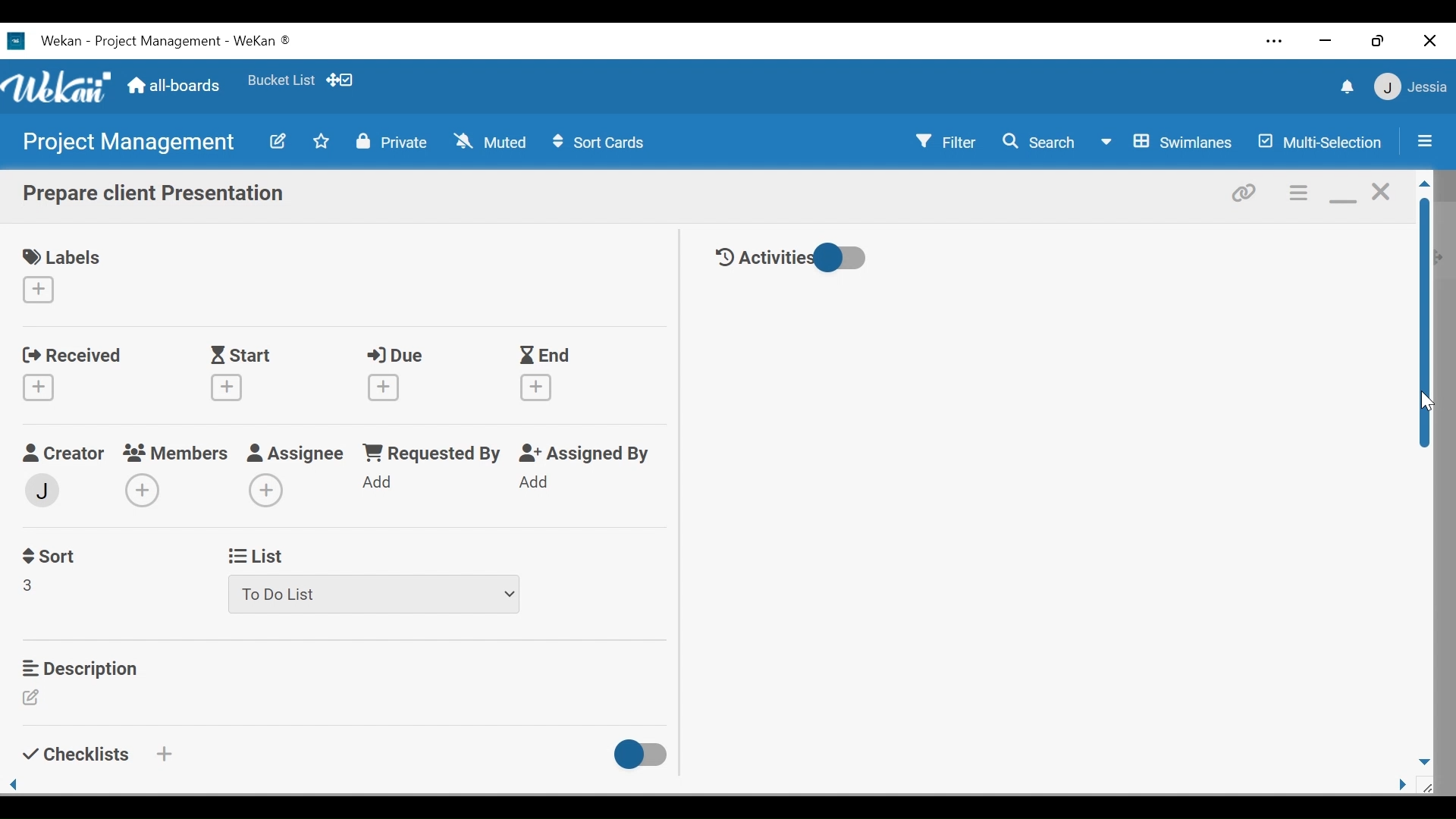 The width and height of the screenshot is (1456, 819). Describe the element at coordinates (545, 354) in the screenshot. I see `End Dtae` at that location.